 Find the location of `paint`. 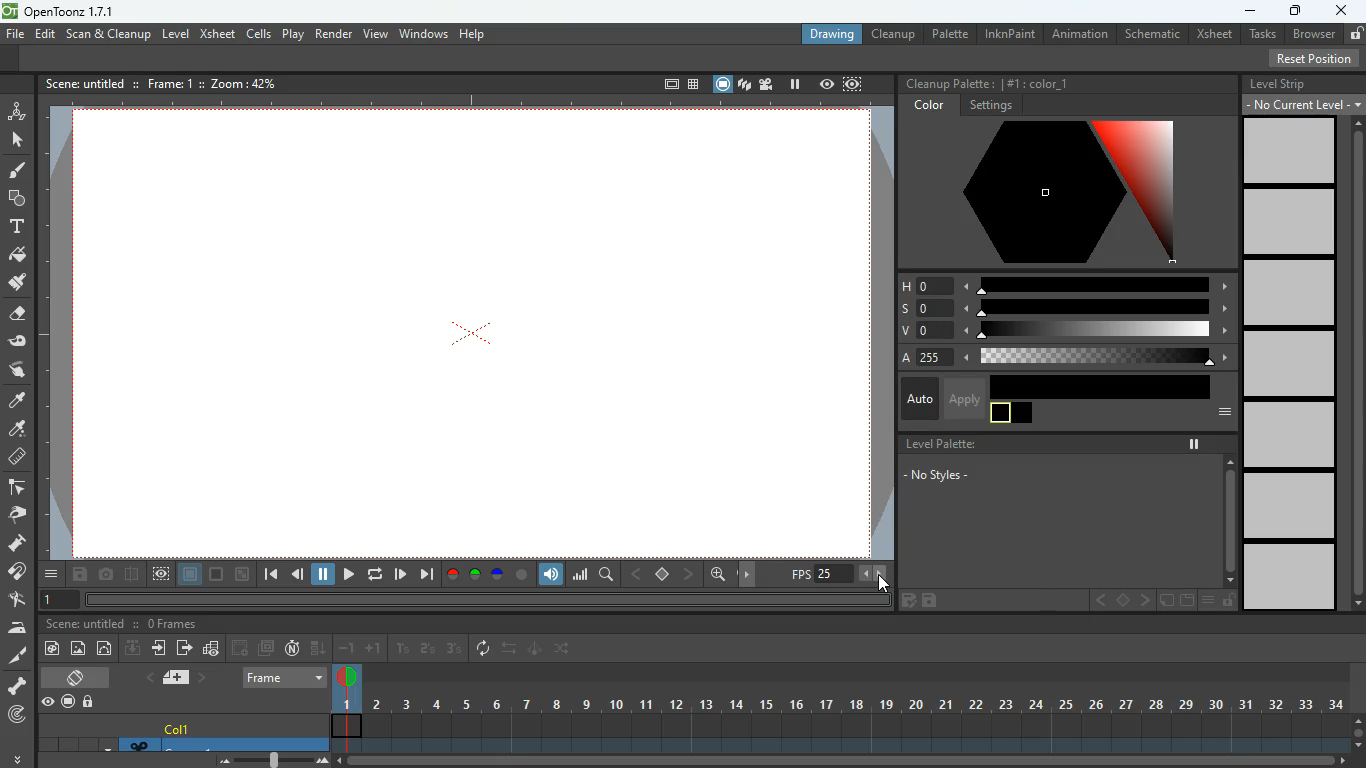

paint is located at coordinates (21, 256).